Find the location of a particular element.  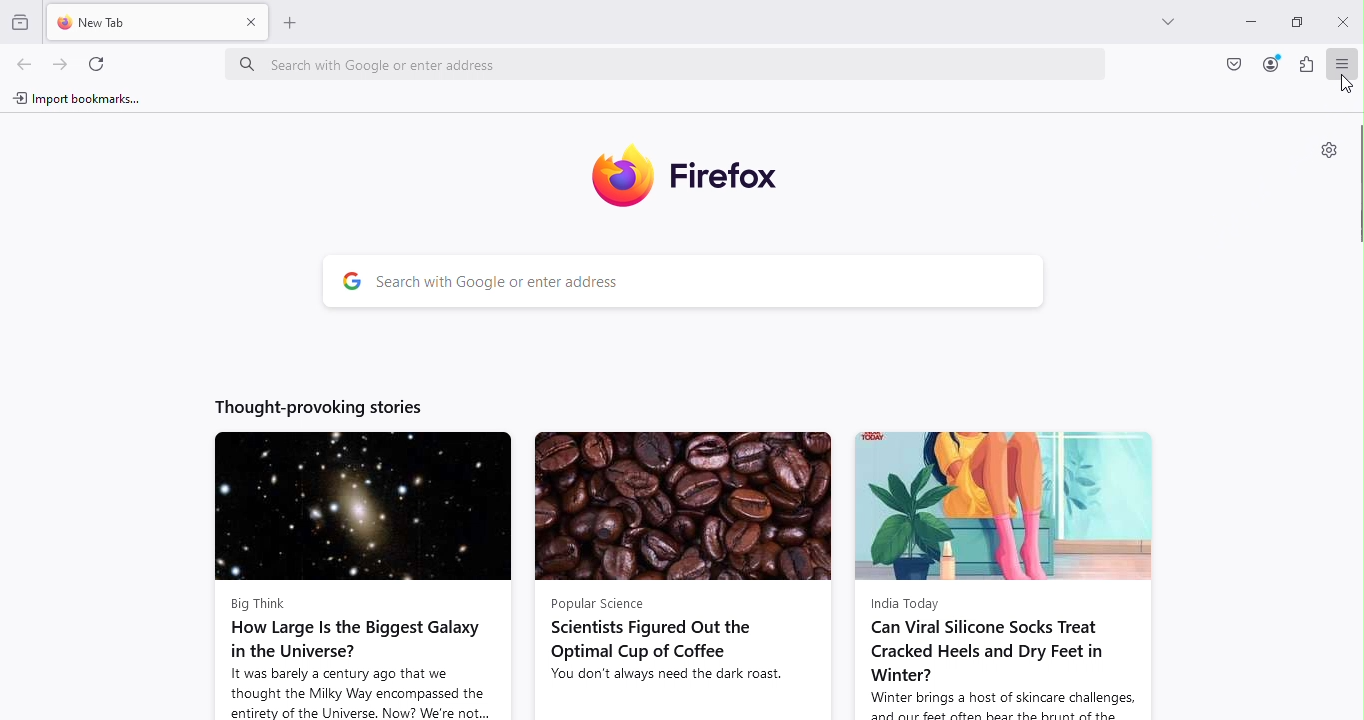

Close tab is located at coordinates (250, 22).